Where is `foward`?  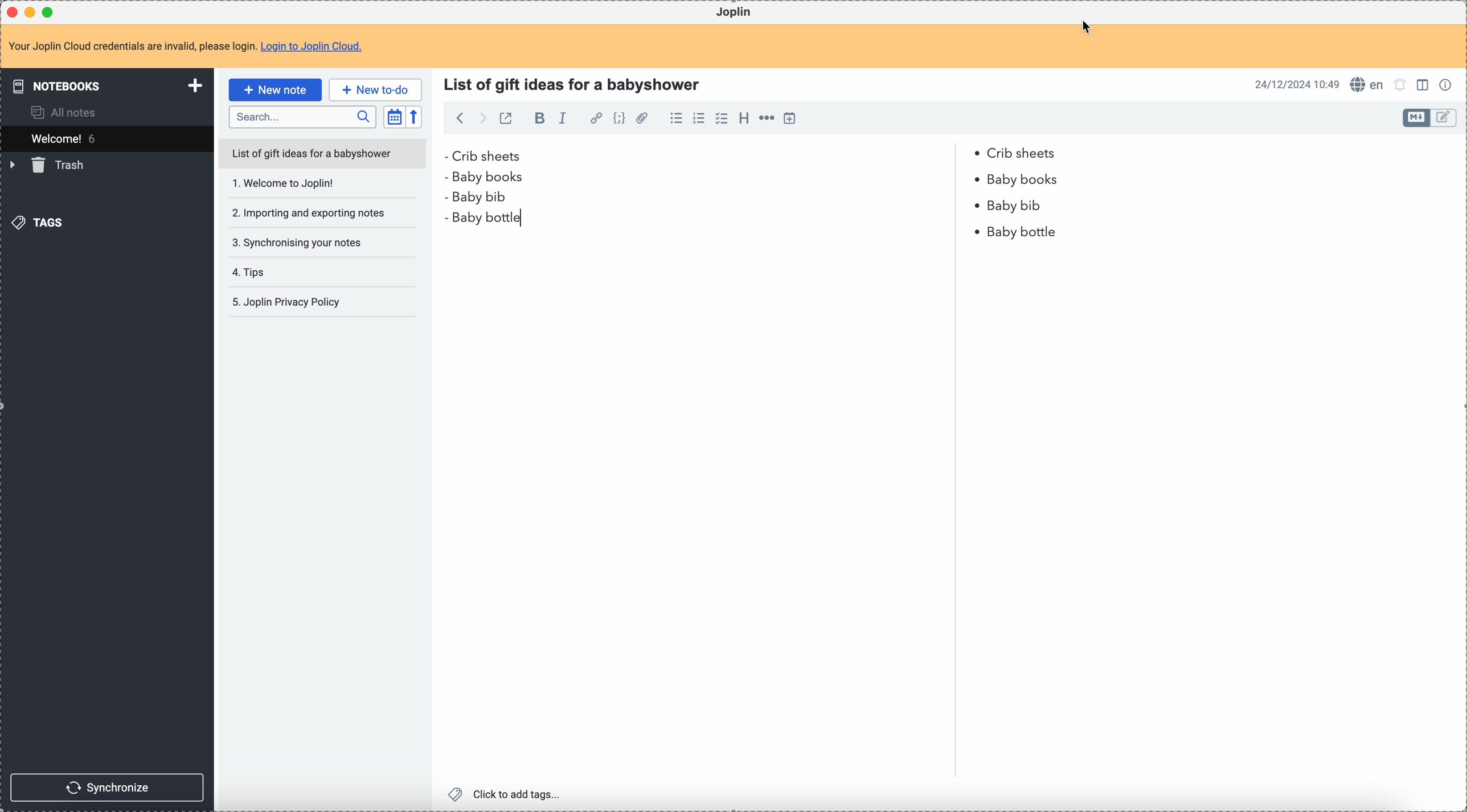
foward is located at coordinates (483, 118).